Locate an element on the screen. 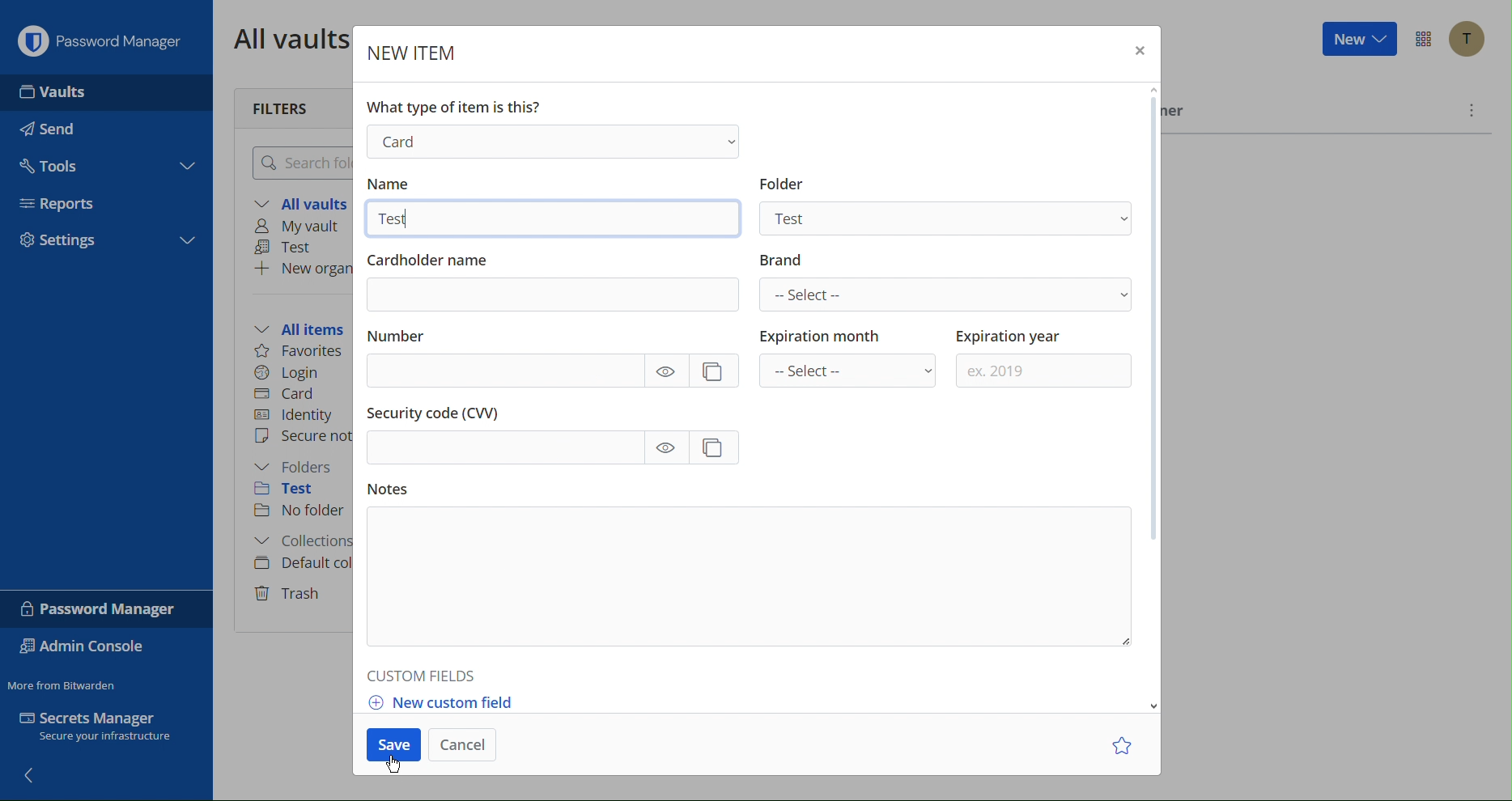  Owner is located at coordinates (1173, 110).